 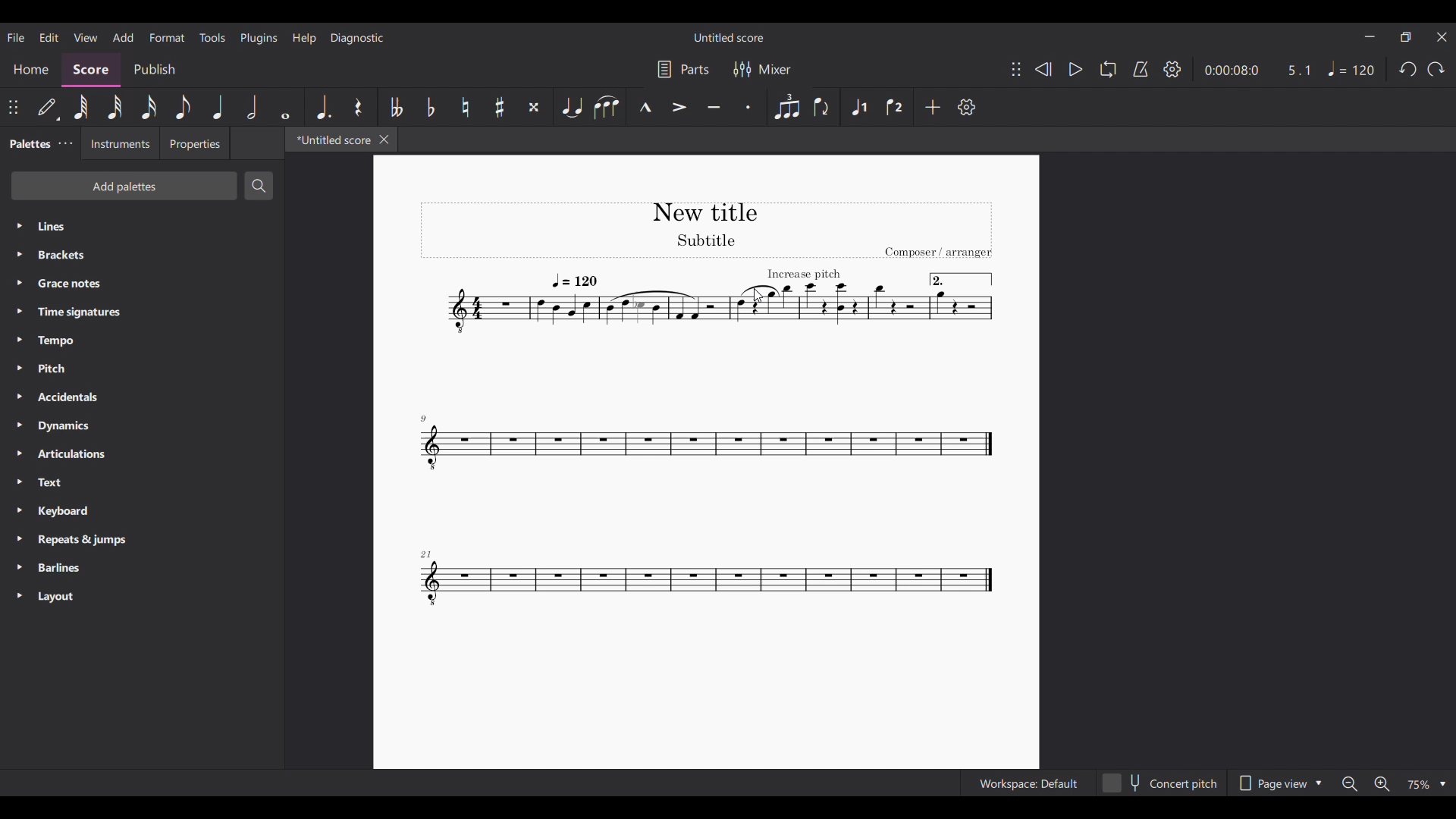 I want to click on File menu, so click(x=17, y=37).